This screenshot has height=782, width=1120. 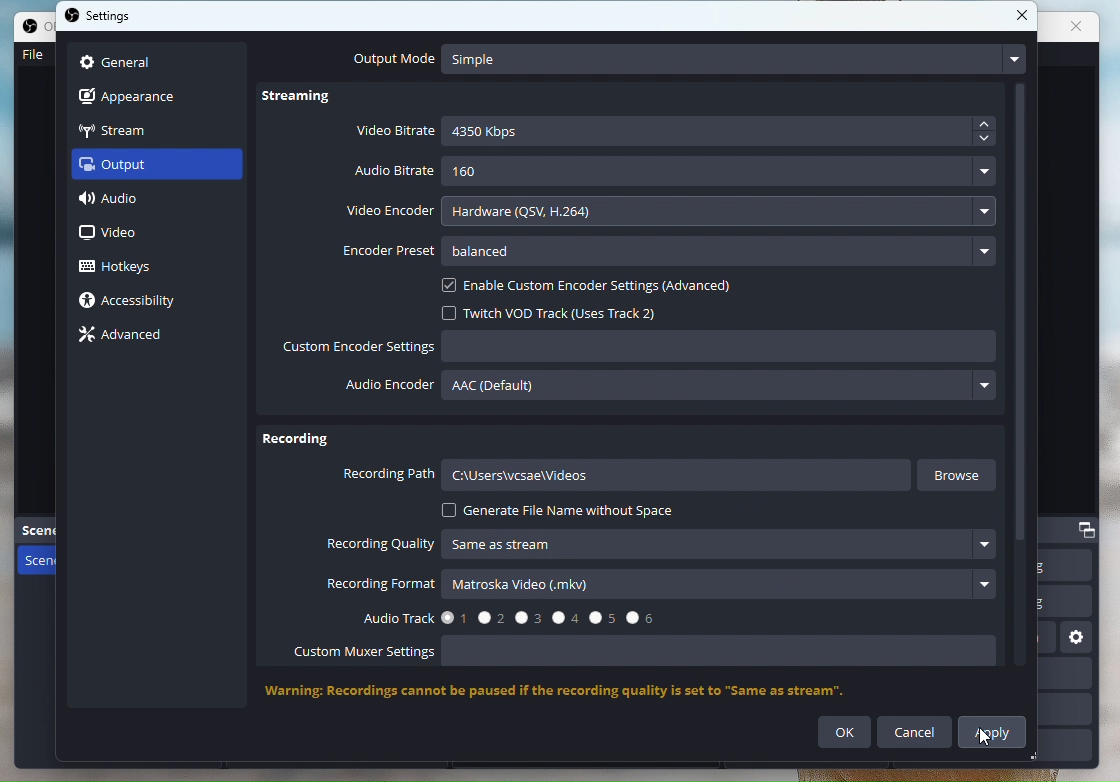 I want to click on Browse, so click(x=961, y=475).